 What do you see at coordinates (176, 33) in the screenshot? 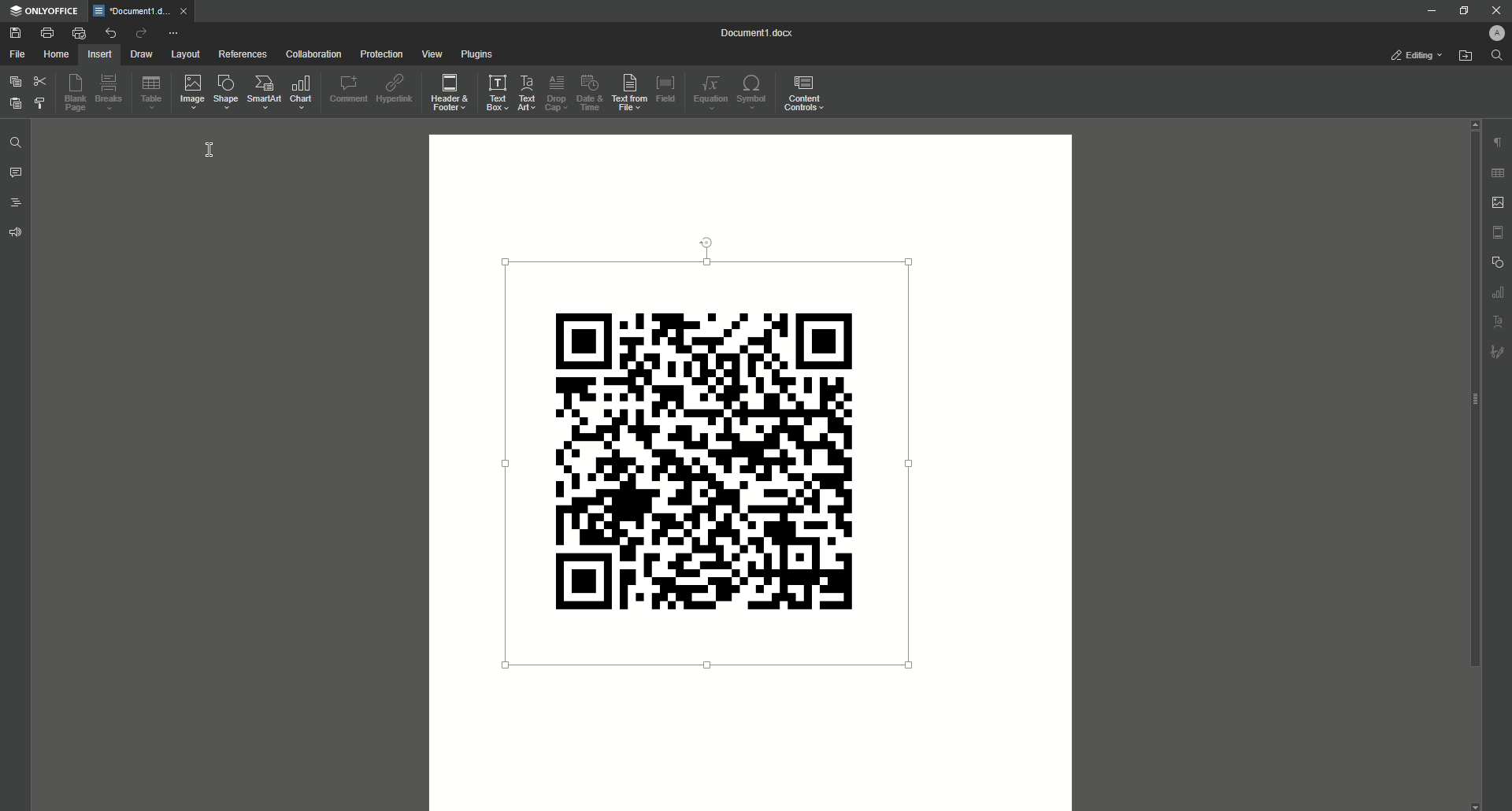
I see `More Options` at bounding box center [176, 33].